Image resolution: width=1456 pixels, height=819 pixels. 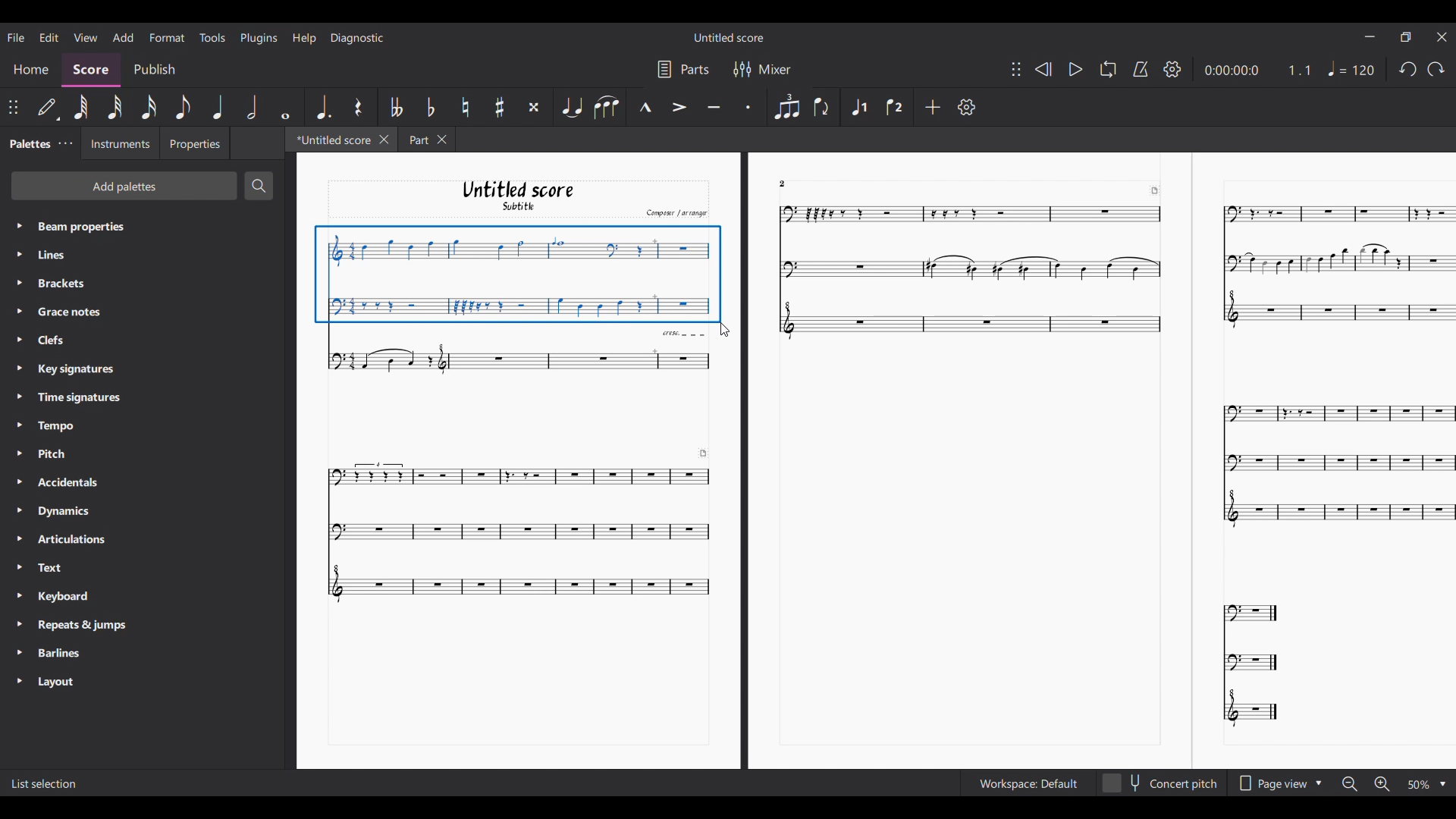 I want to click on Add, so click(x=932, y=106).